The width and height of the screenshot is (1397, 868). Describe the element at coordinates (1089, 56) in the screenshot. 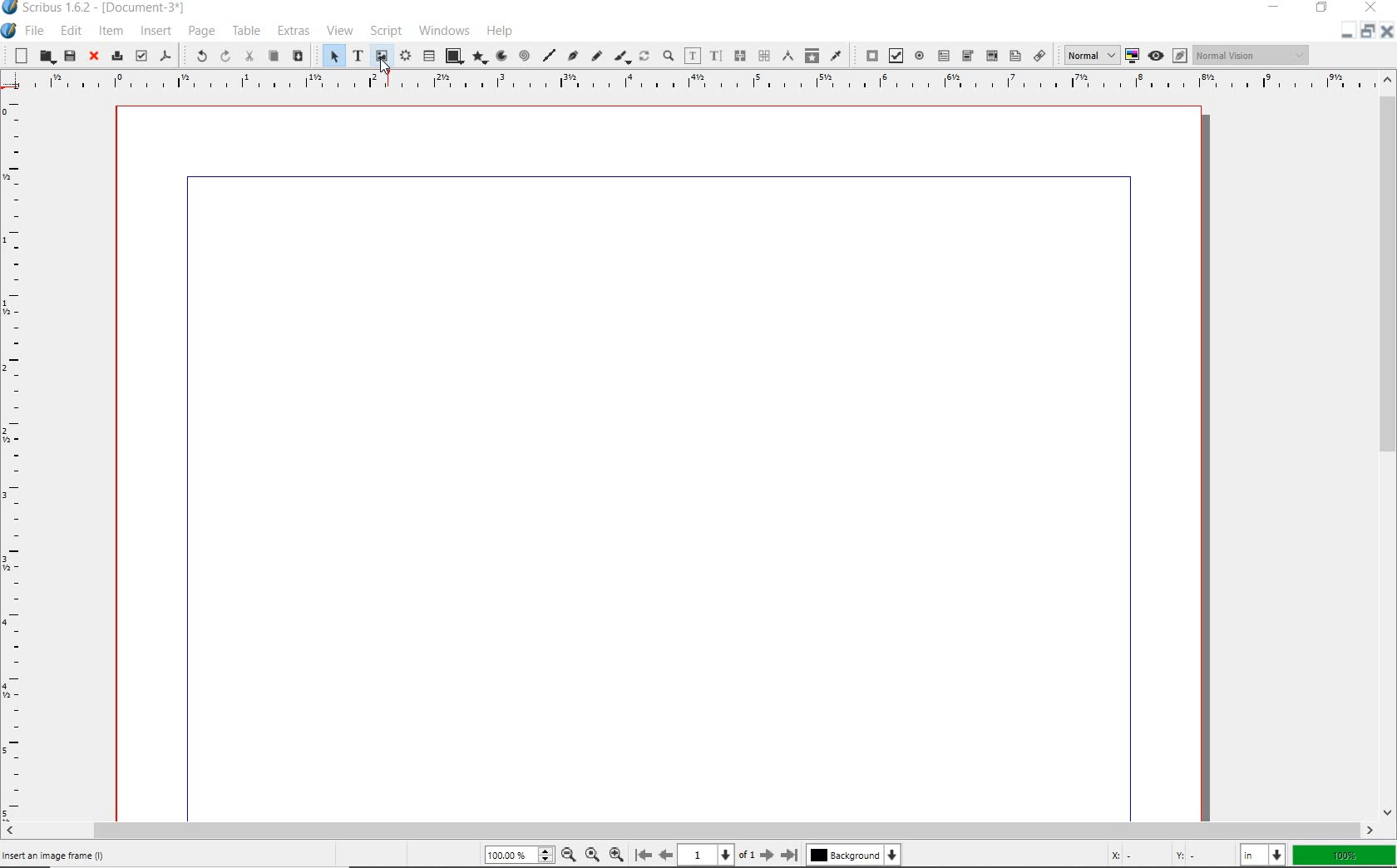

I see `select image preview quality` at that location.